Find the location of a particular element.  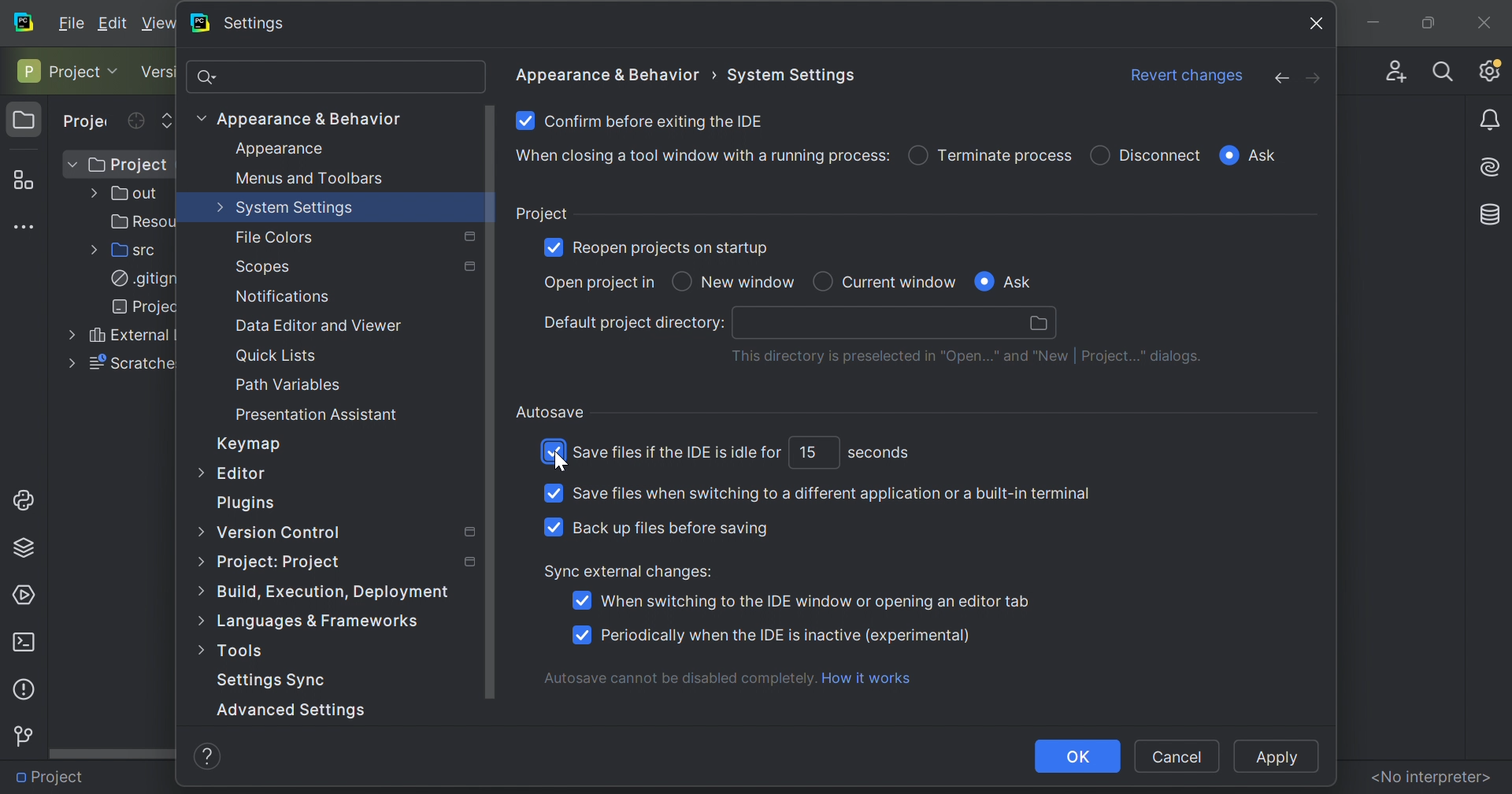

Periodically when the IDE is inactive (experimental) is located at coordinates (787, 636).